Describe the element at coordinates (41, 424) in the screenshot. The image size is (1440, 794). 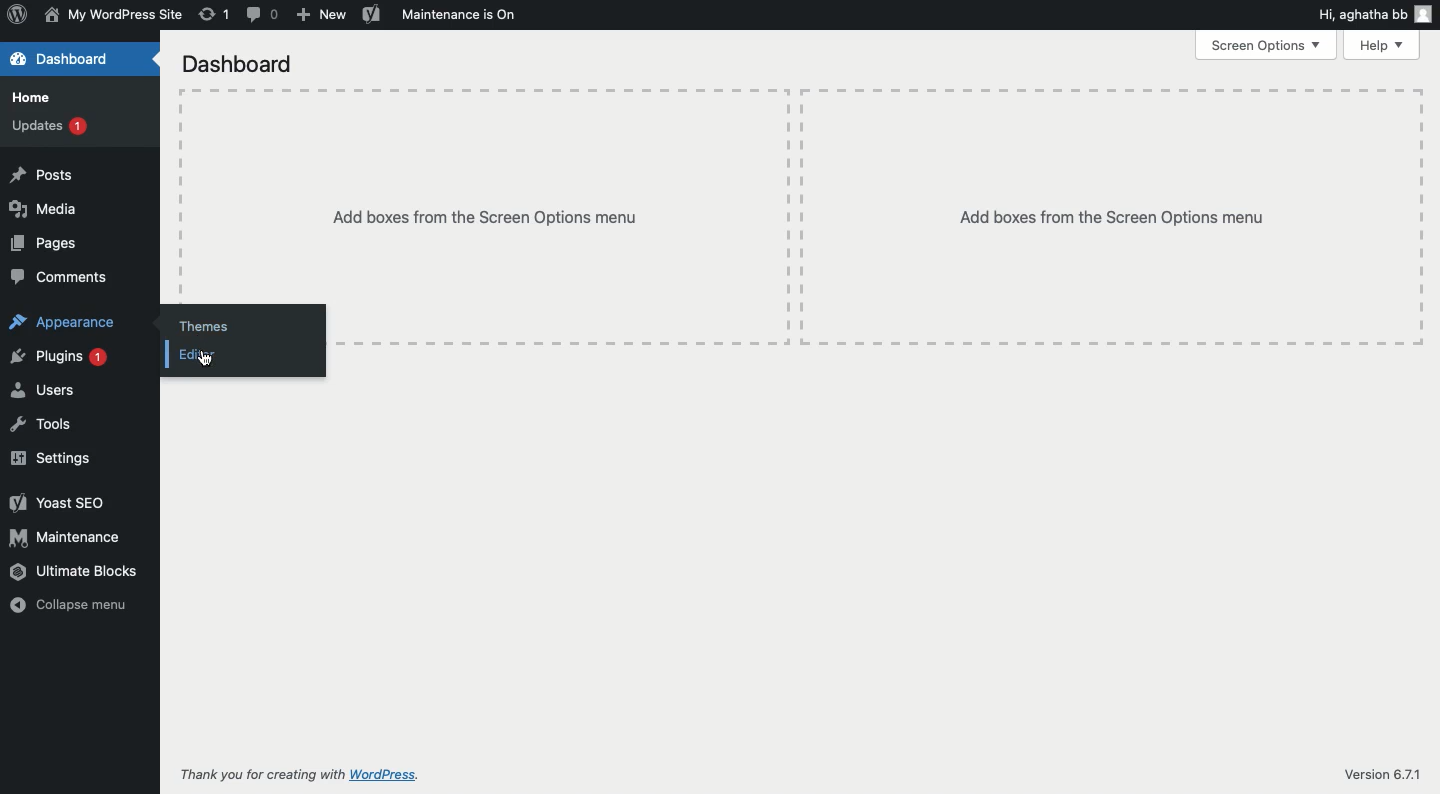
I see `Tools` at that location.